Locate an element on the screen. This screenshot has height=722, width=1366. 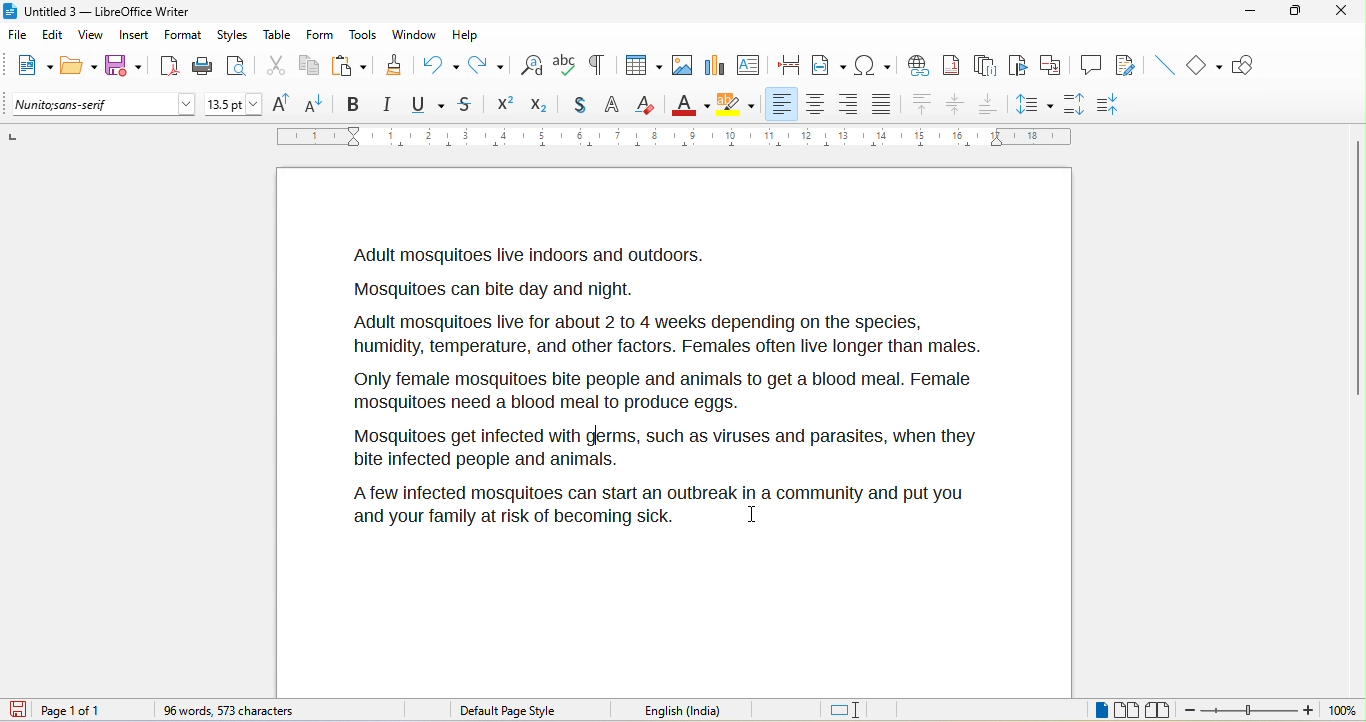
new is located at coordinates (32, 68).